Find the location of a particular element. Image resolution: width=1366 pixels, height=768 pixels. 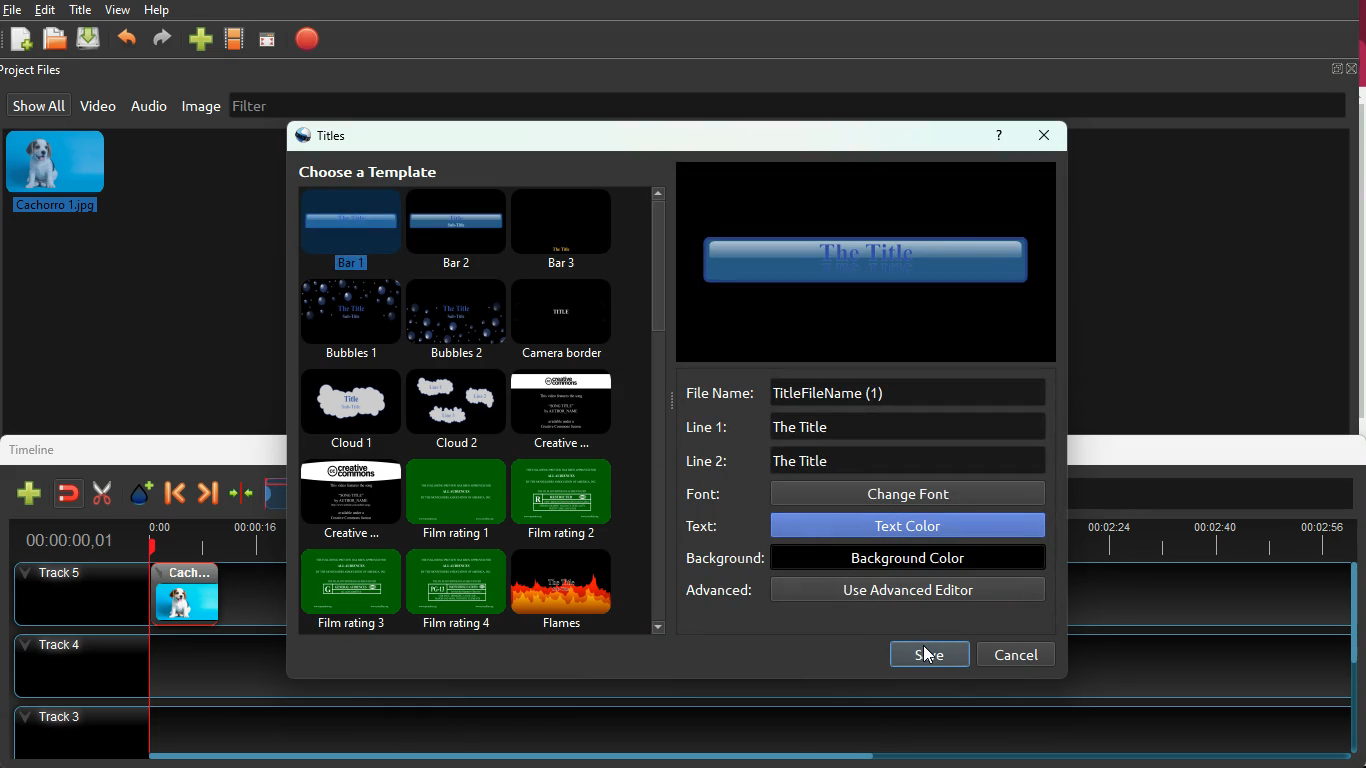

cursor is located at coordinates (931, 658).